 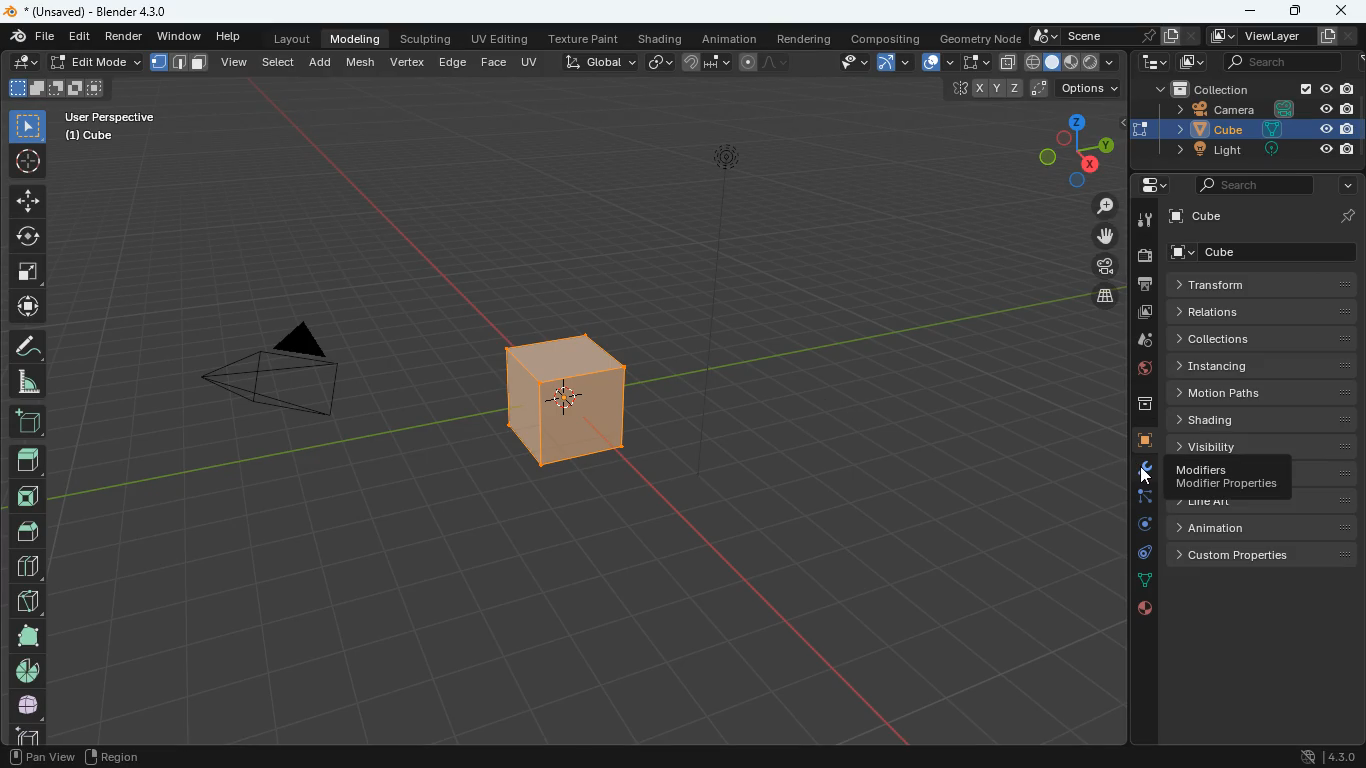 I want to click on size, so click(x=55, y=89).